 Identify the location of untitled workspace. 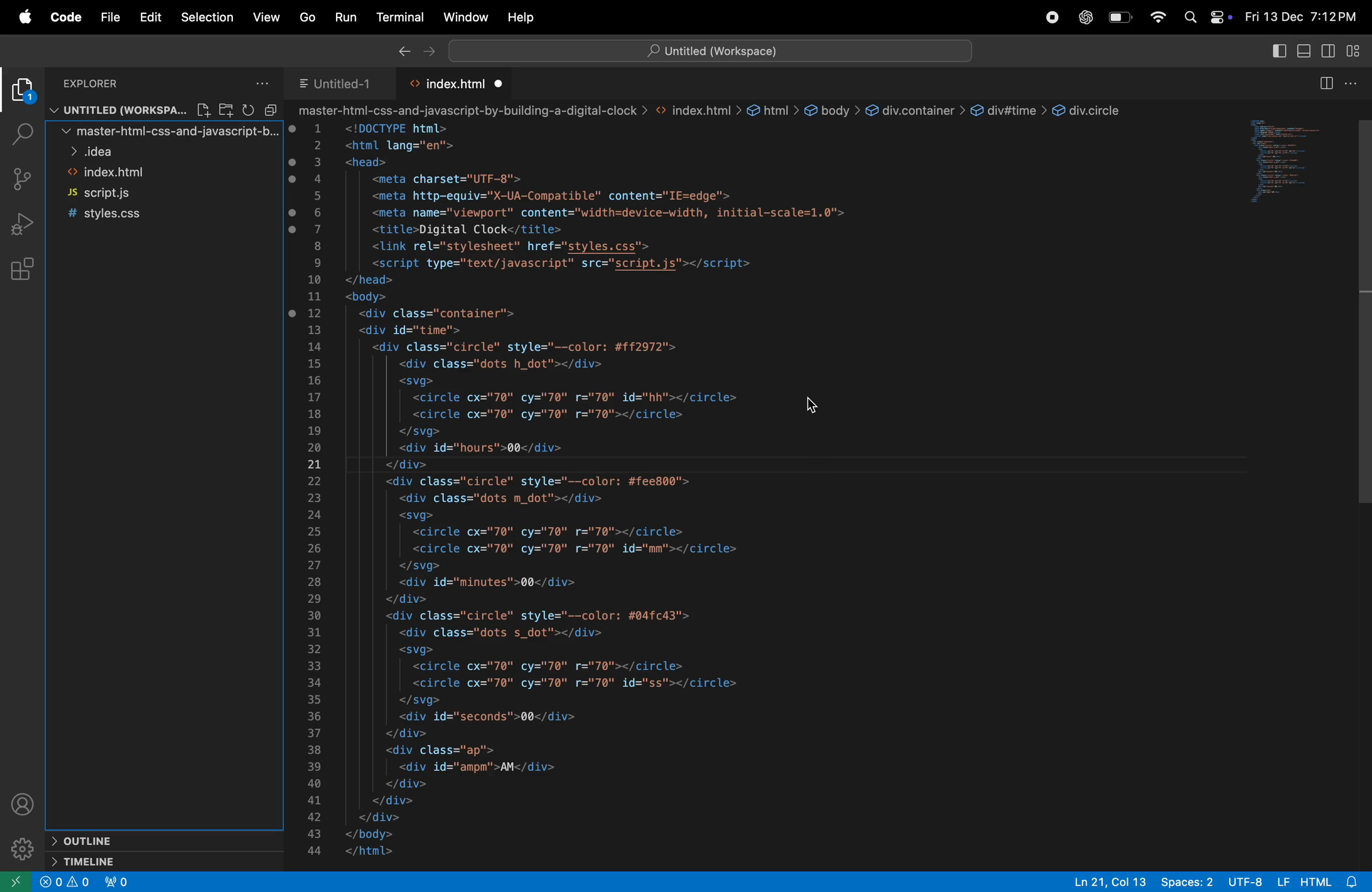
(119, 111).